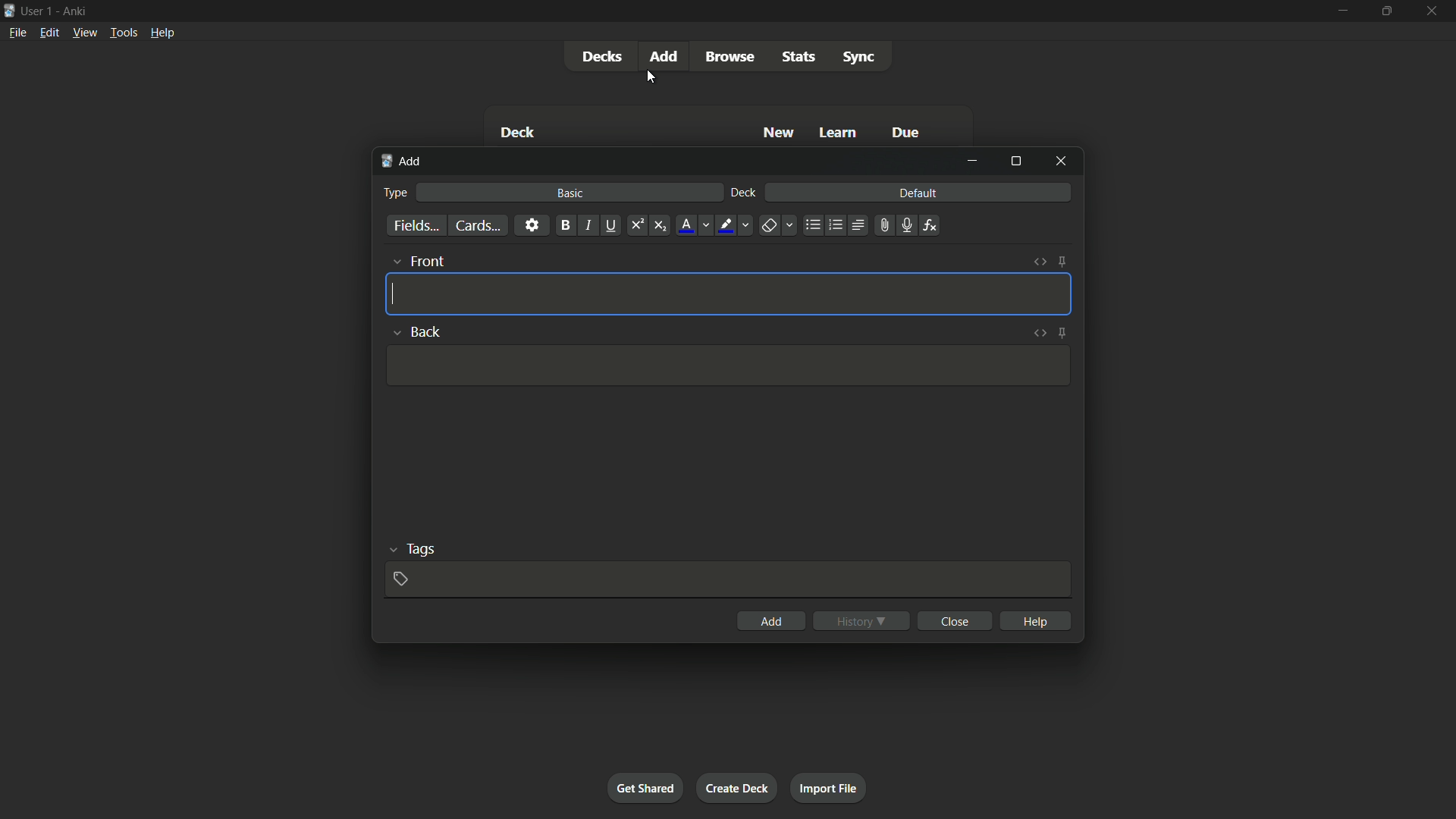  Describe the element at coordinates (780, 132) in the screenshot. I see `new` at that location.